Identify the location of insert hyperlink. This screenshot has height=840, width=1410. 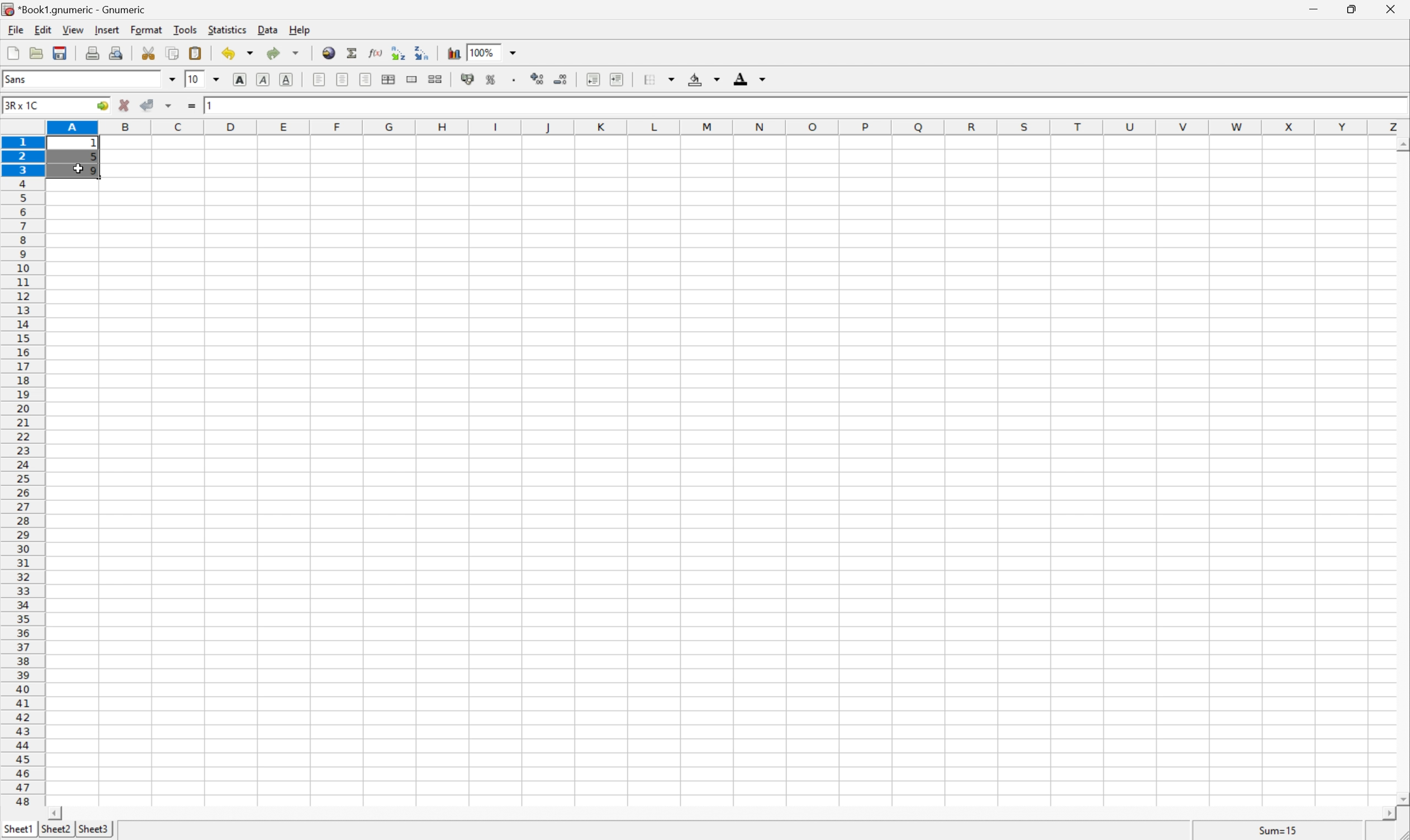
(330, 52).